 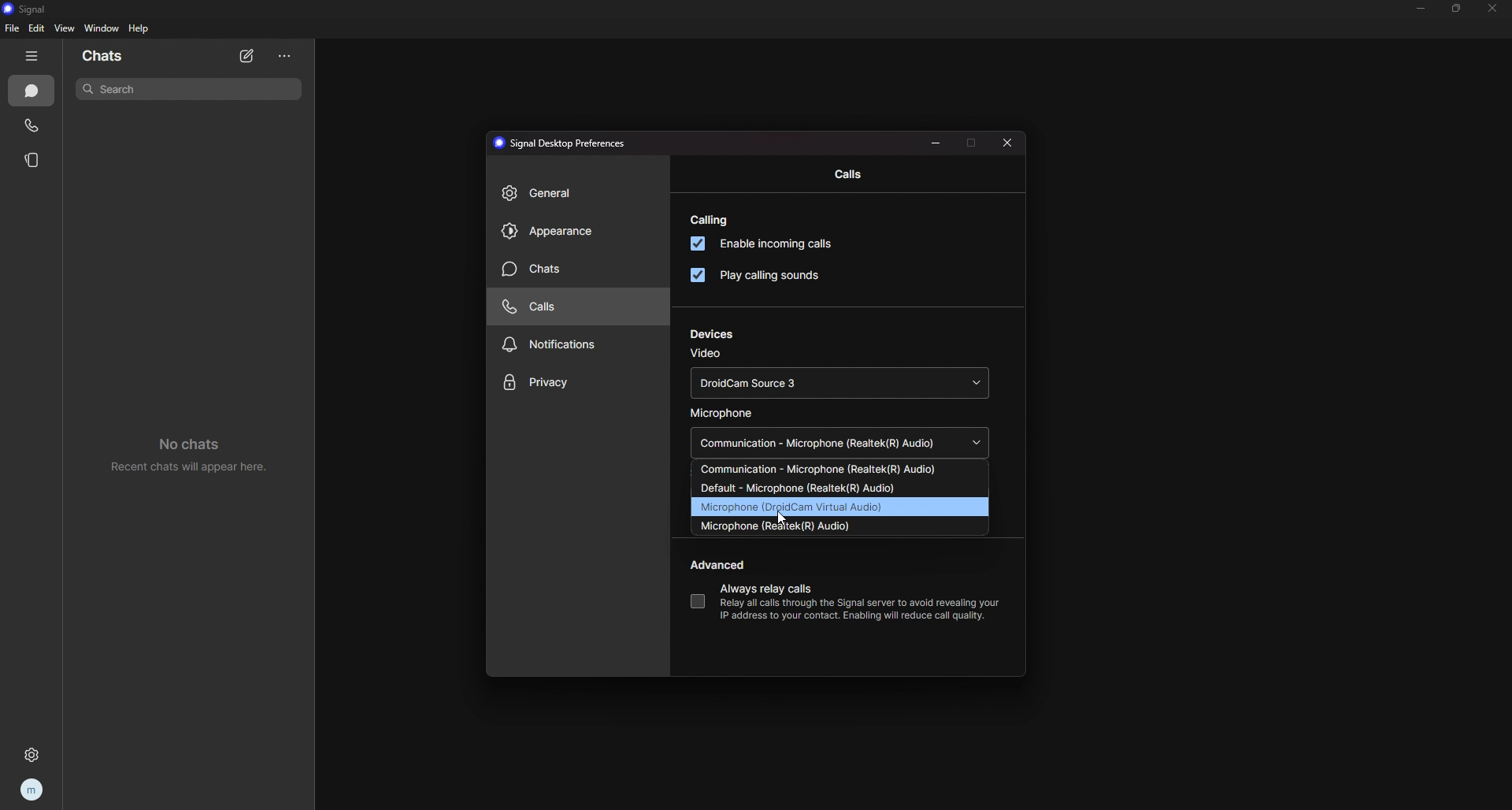 I want to click on help, so click(x=140, y=28).